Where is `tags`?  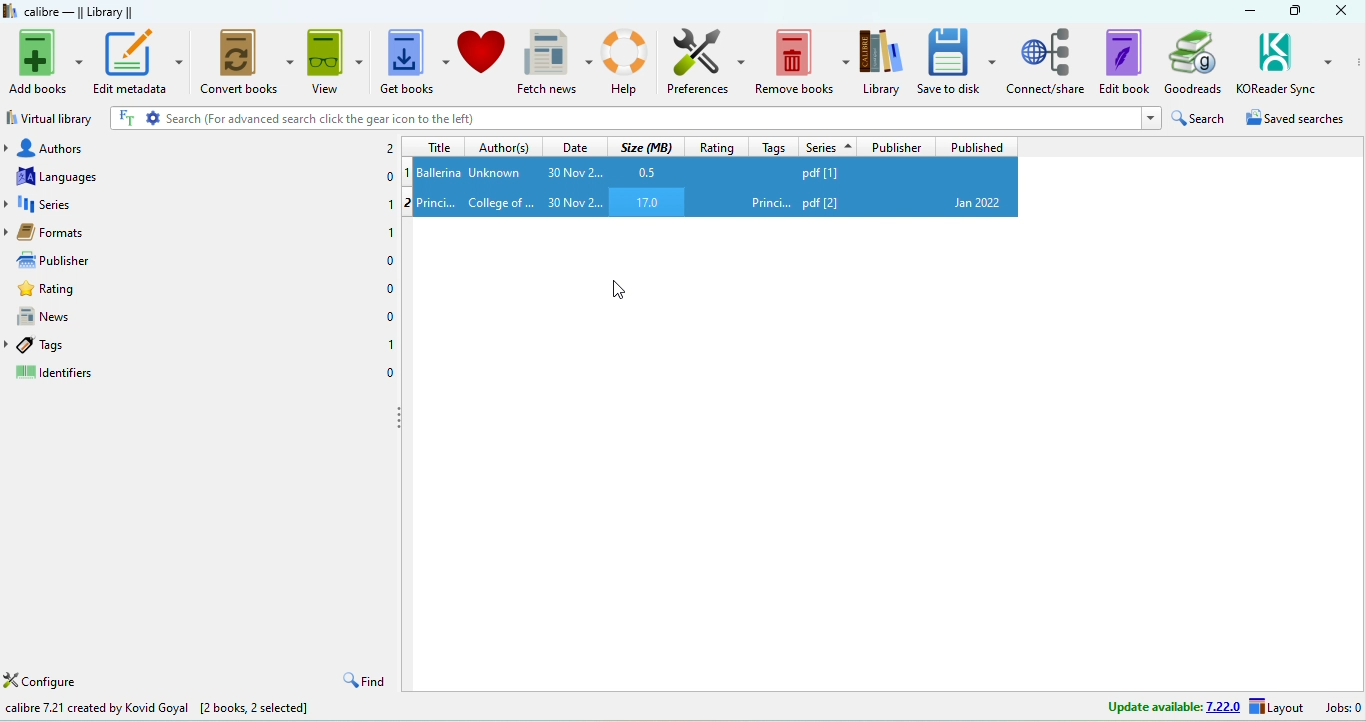 tags is located at coordinates (777, 147).